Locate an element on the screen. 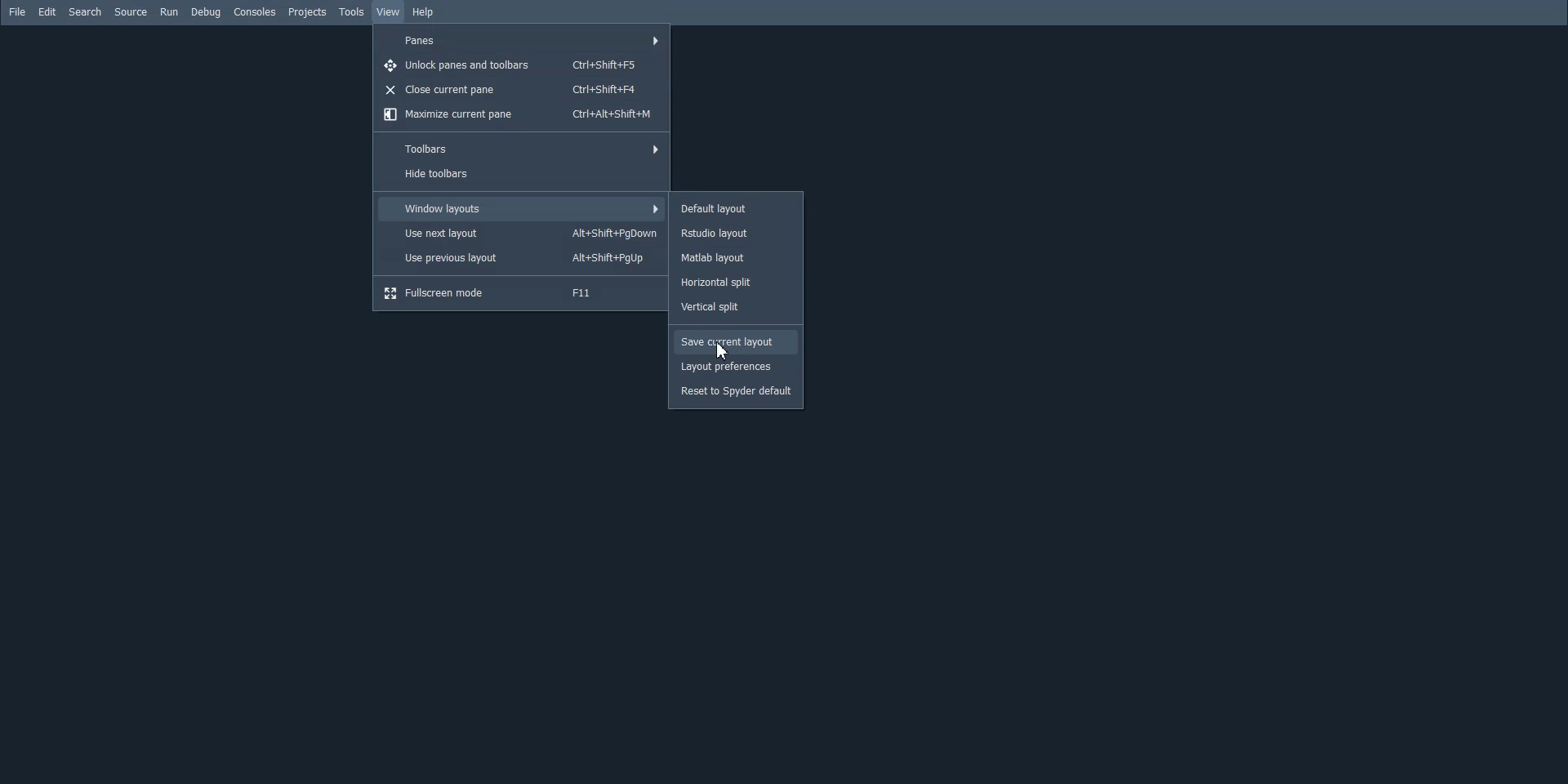  Reset to spyder default is located at coordinates (737, 392).